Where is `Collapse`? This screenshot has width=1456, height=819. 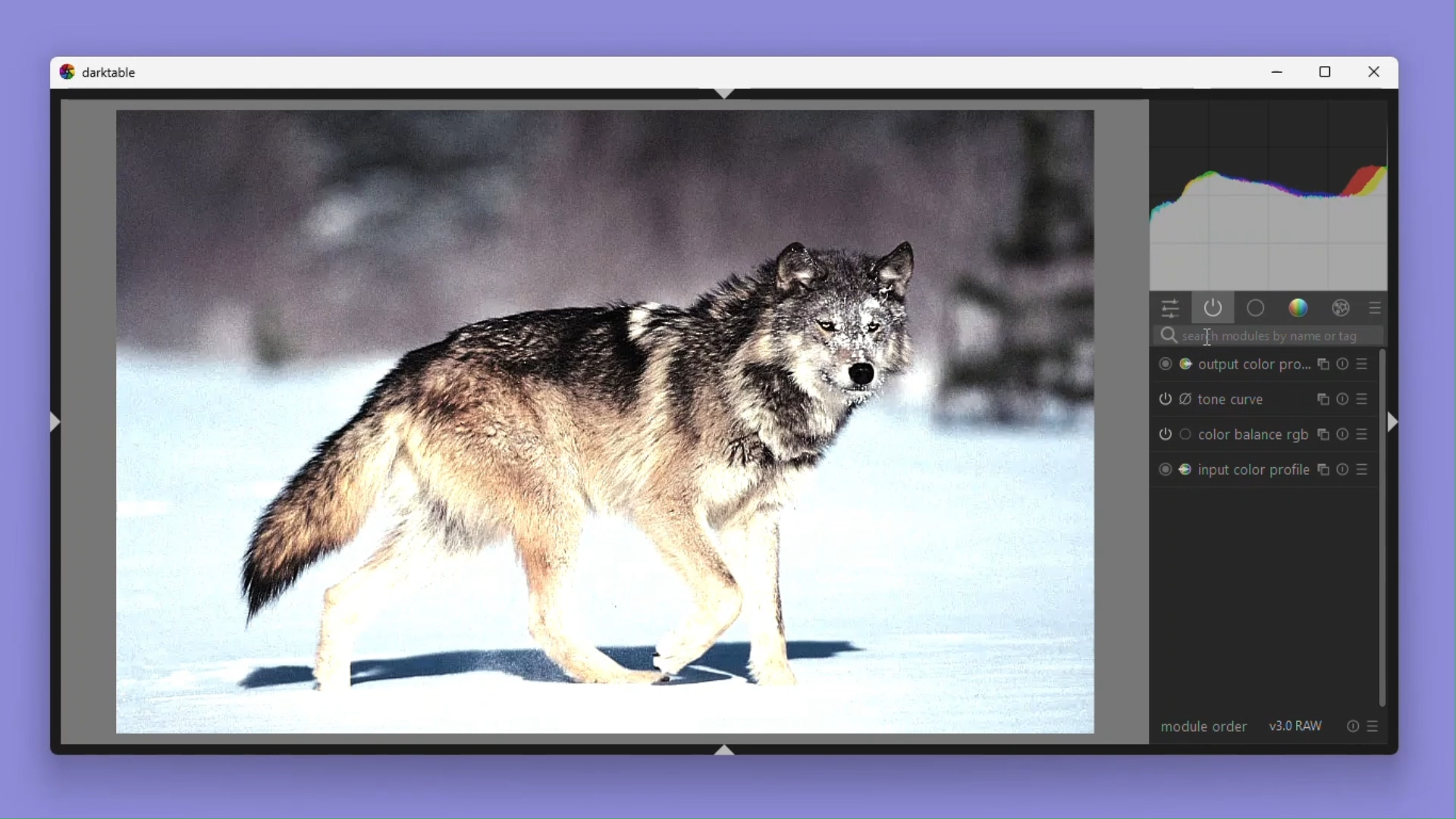 Collapse is located at coordinates (1394, 424).